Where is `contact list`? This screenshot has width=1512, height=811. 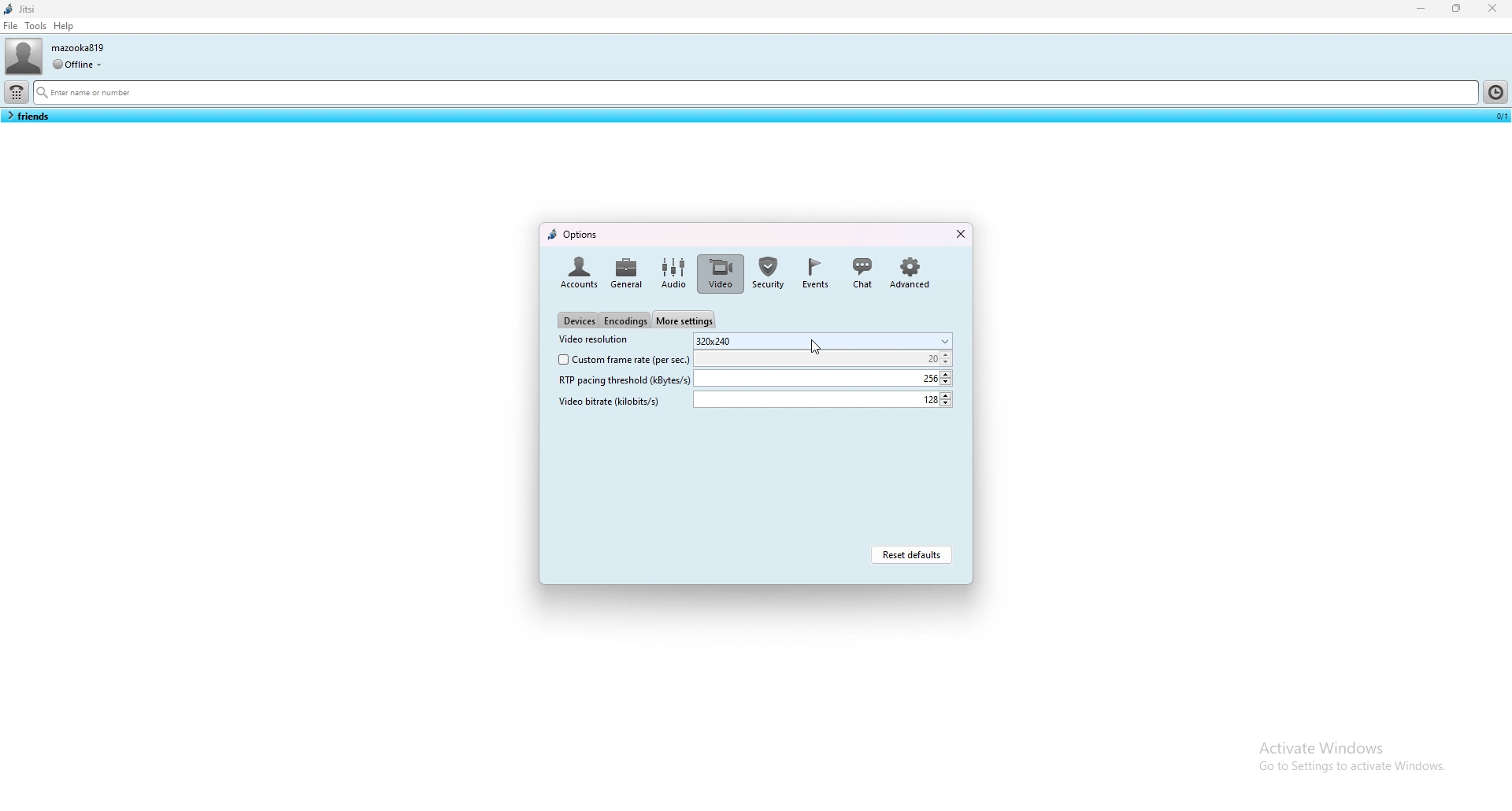 contact list is located at coordinates (28, 116).